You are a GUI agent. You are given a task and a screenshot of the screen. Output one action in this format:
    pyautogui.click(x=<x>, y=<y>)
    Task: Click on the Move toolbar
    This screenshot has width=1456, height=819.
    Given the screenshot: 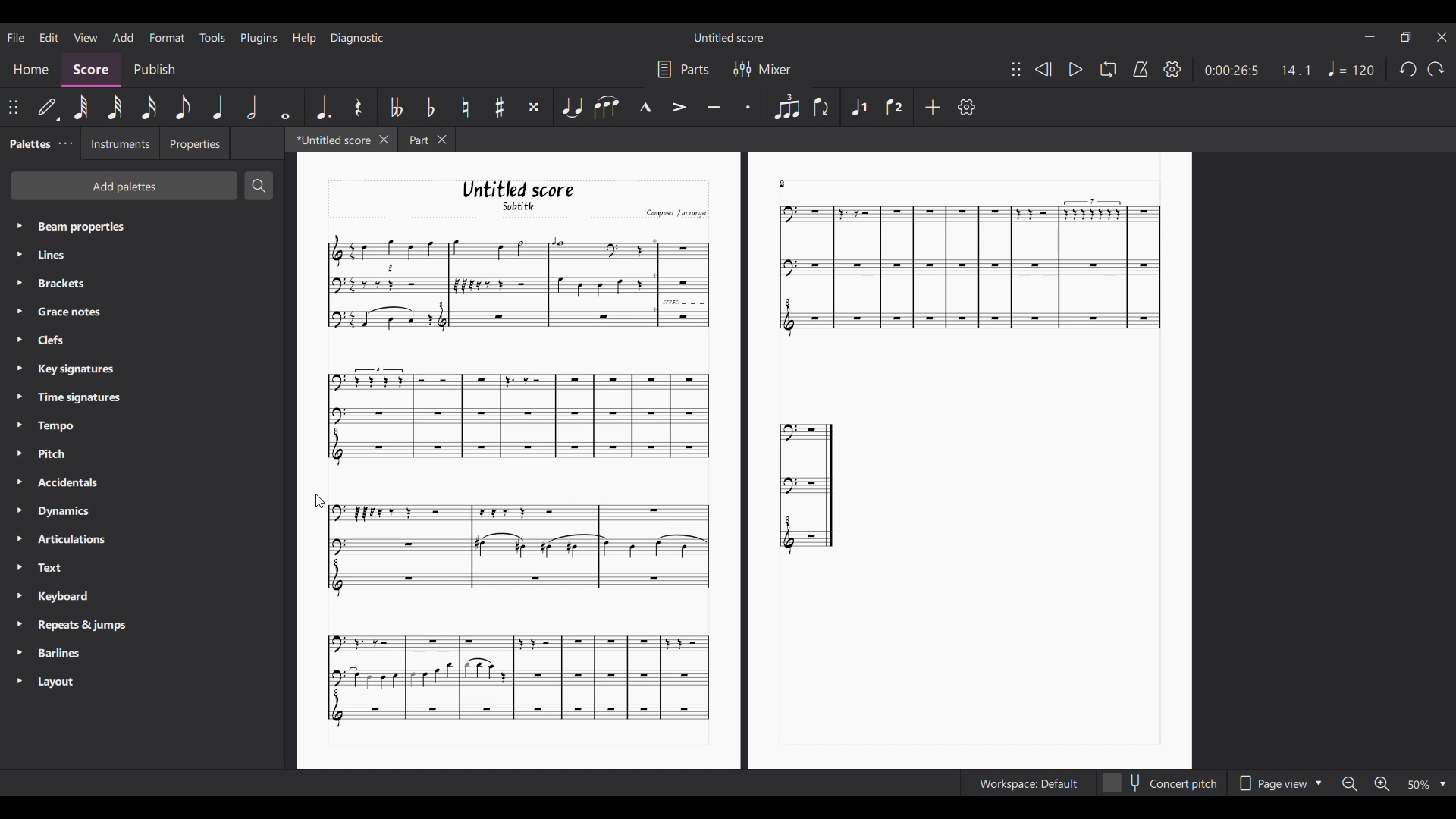 What is the action you would take?
    pyautogui.click(x=1016, y=69)
    